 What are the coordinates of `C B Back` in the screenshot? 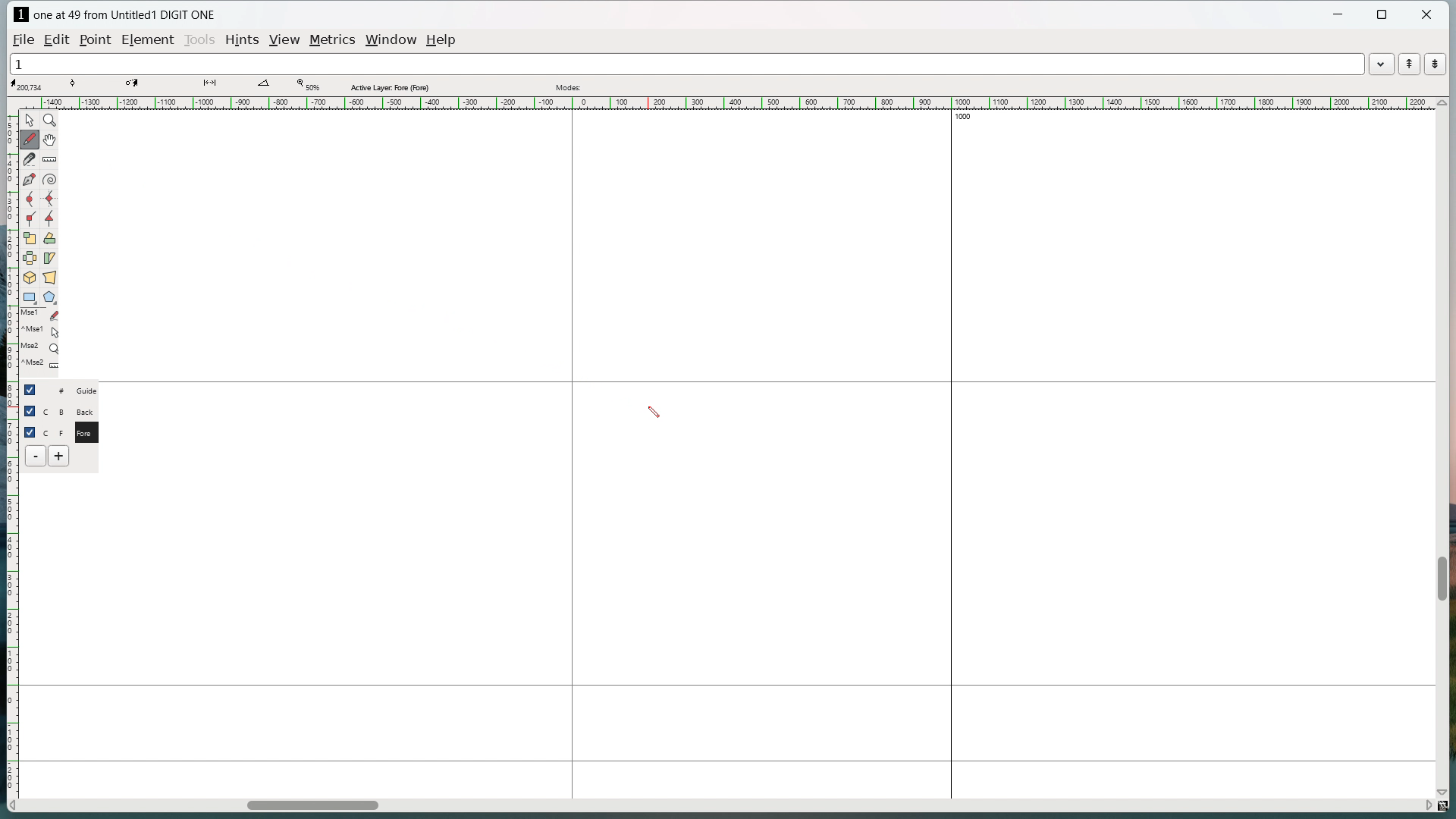 It's located at (71, 409).